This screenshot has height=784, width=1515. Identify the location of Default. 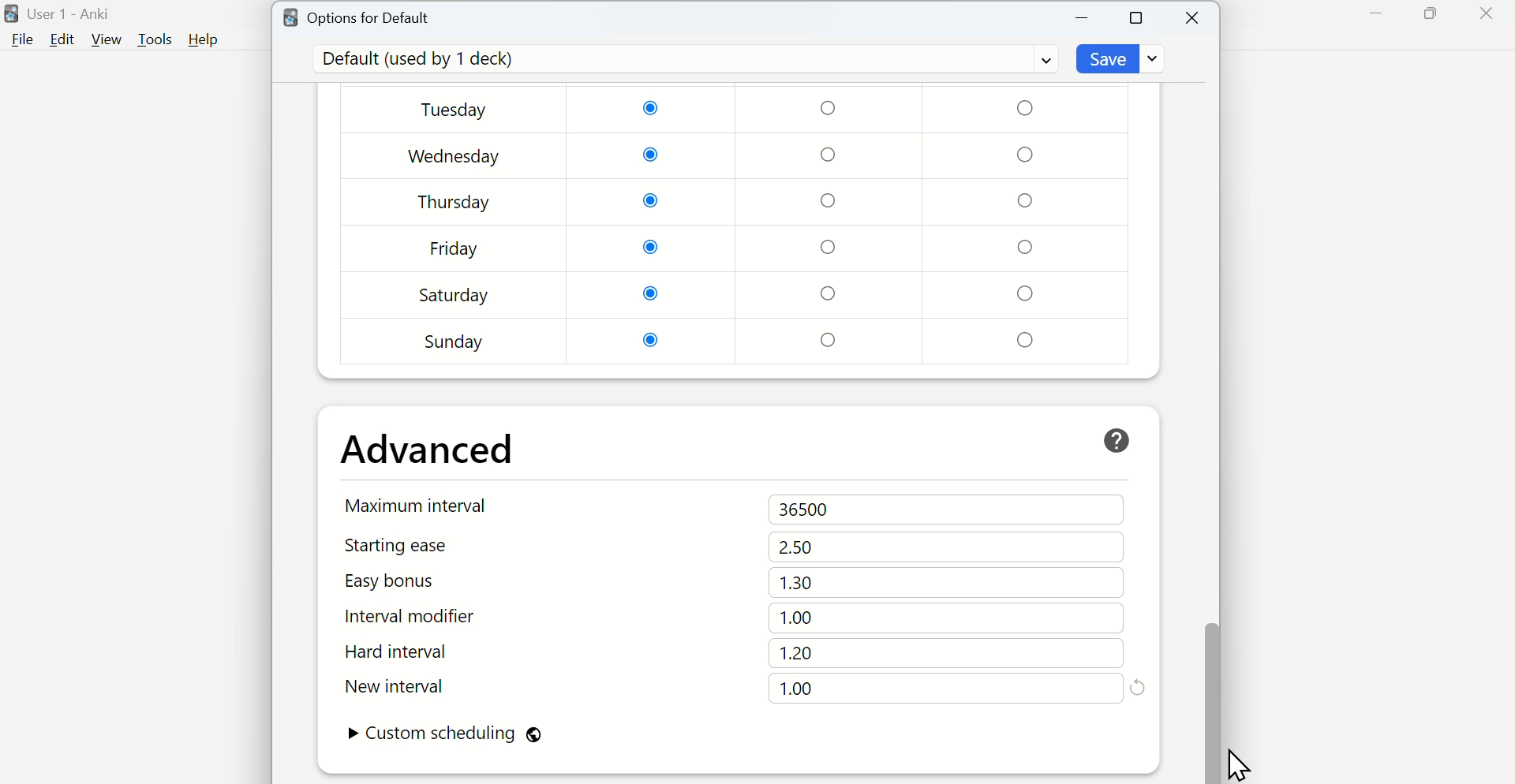
(683, 59).